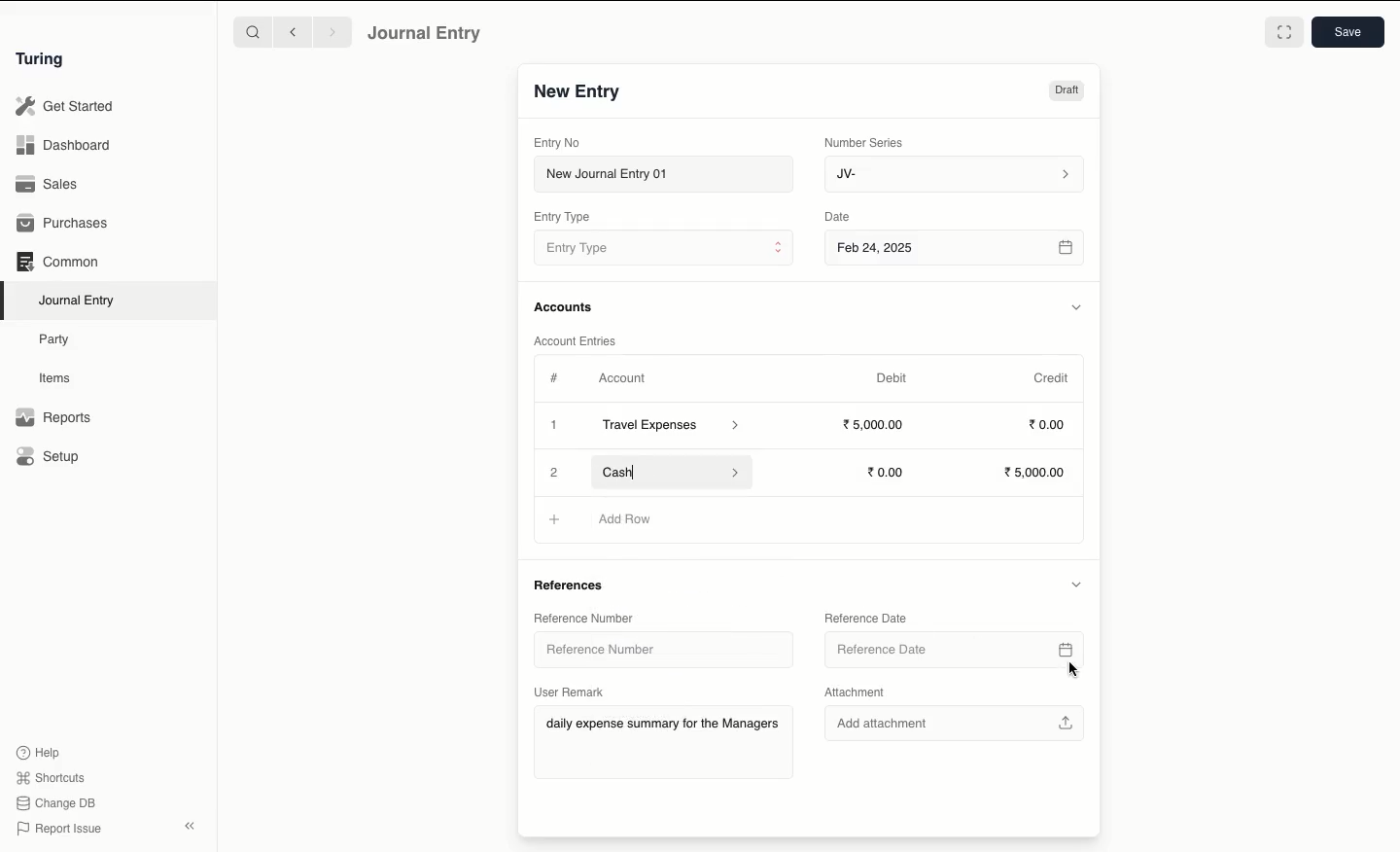 This screenshot has width=1400, height=852. I want to click on Credit, so click(1053, 378).